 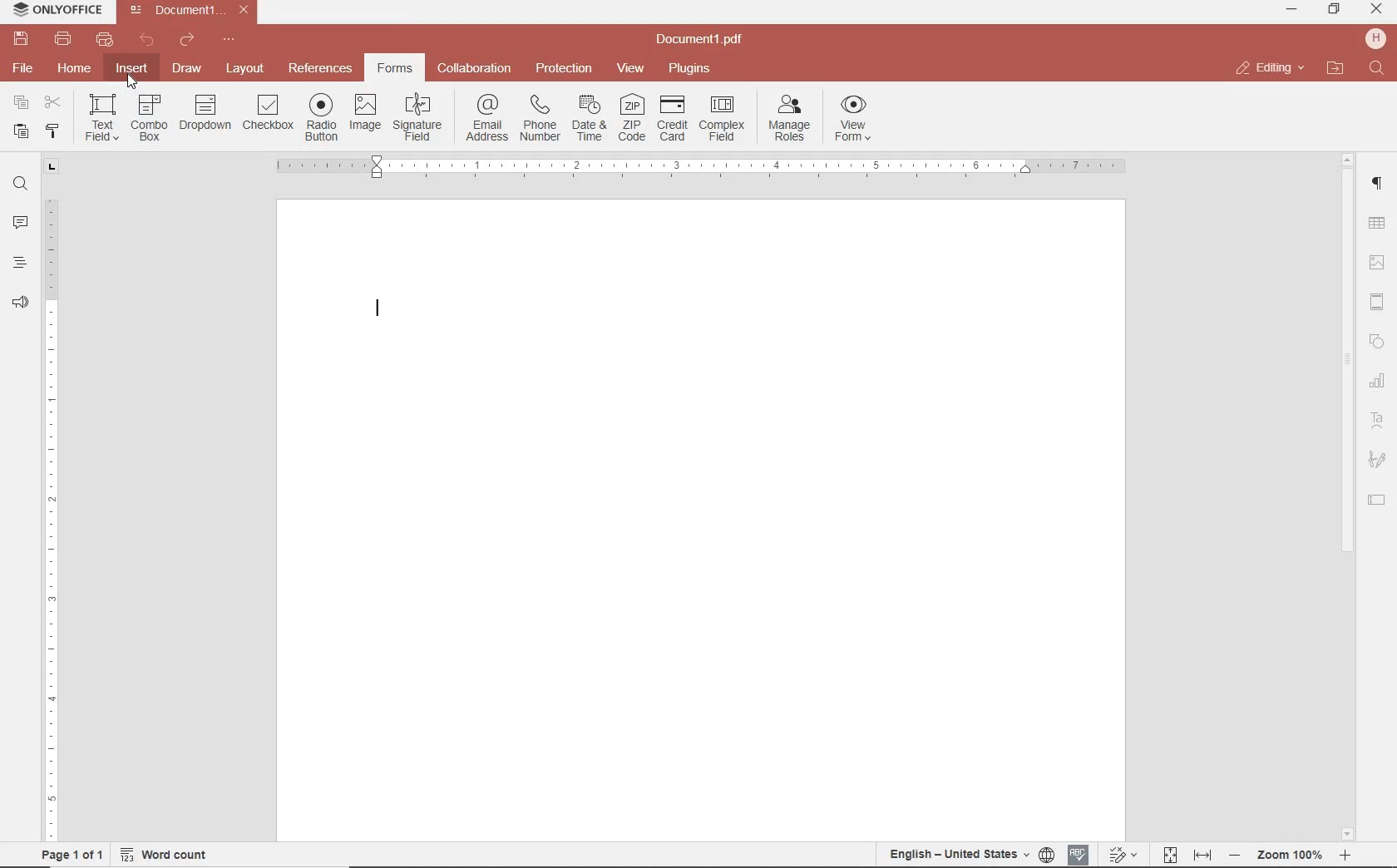 What do you see at coordinates (1378, 343) in the screenshot?
I see `SHAPES` at bounding box center [1378, 343].